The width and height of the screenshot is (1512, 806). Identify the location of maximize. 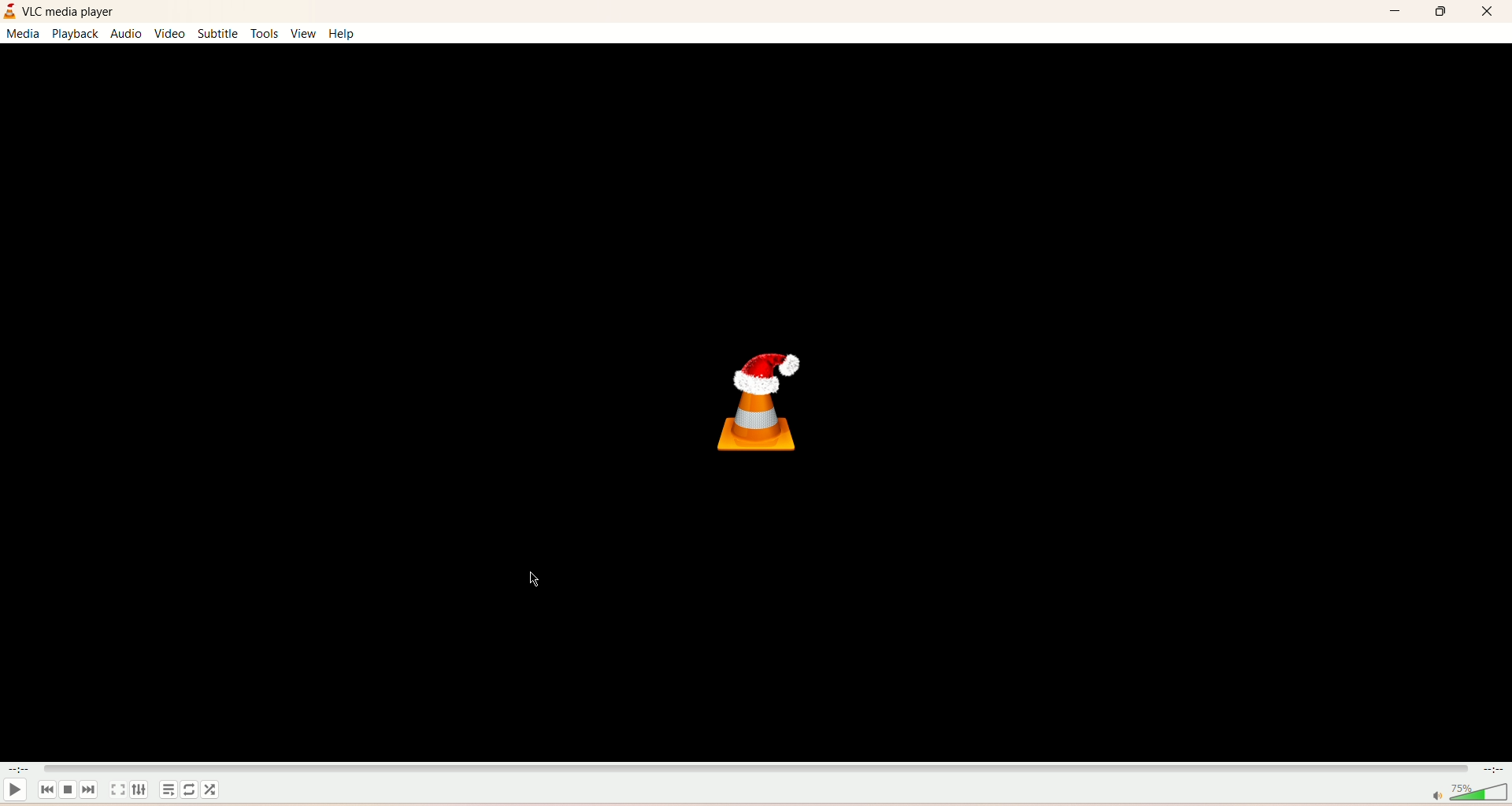
(1440, 13).